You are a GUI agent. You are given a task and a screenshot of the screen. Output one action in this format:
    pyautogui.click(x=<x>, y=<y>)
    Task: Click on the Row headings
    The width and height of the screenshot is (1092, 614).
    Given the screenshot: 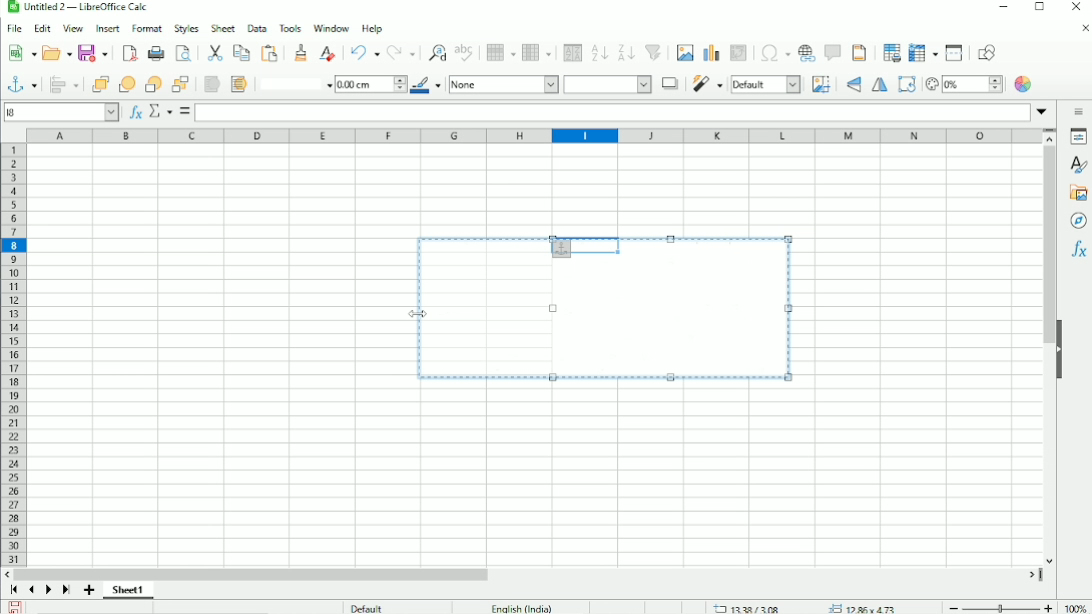 What is the action you would take?
    pyautogui.click(x=12, y=354)
    